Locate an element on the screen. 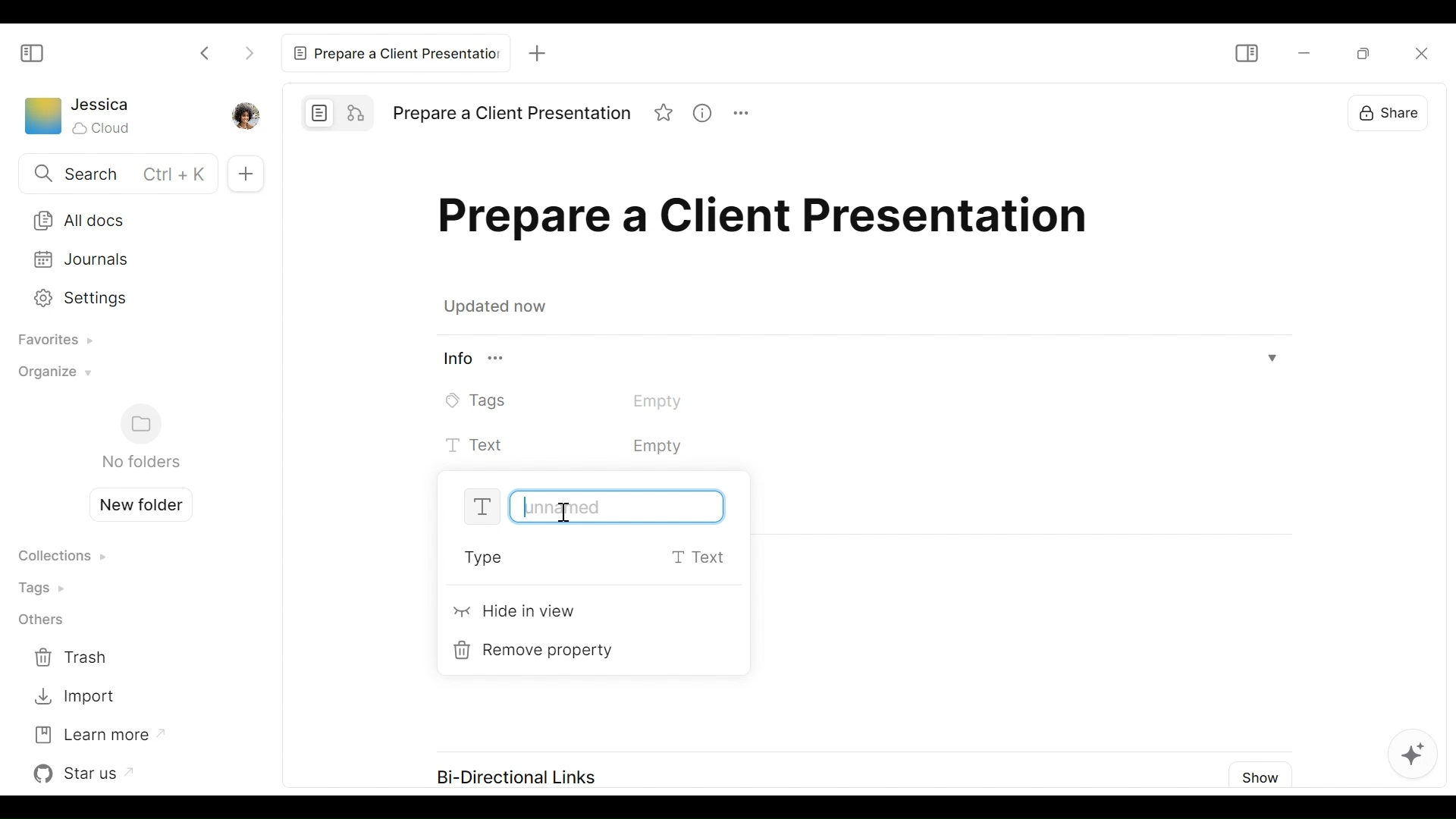 The image size is (1456, 819). Search is located at coordinates (115, 175).